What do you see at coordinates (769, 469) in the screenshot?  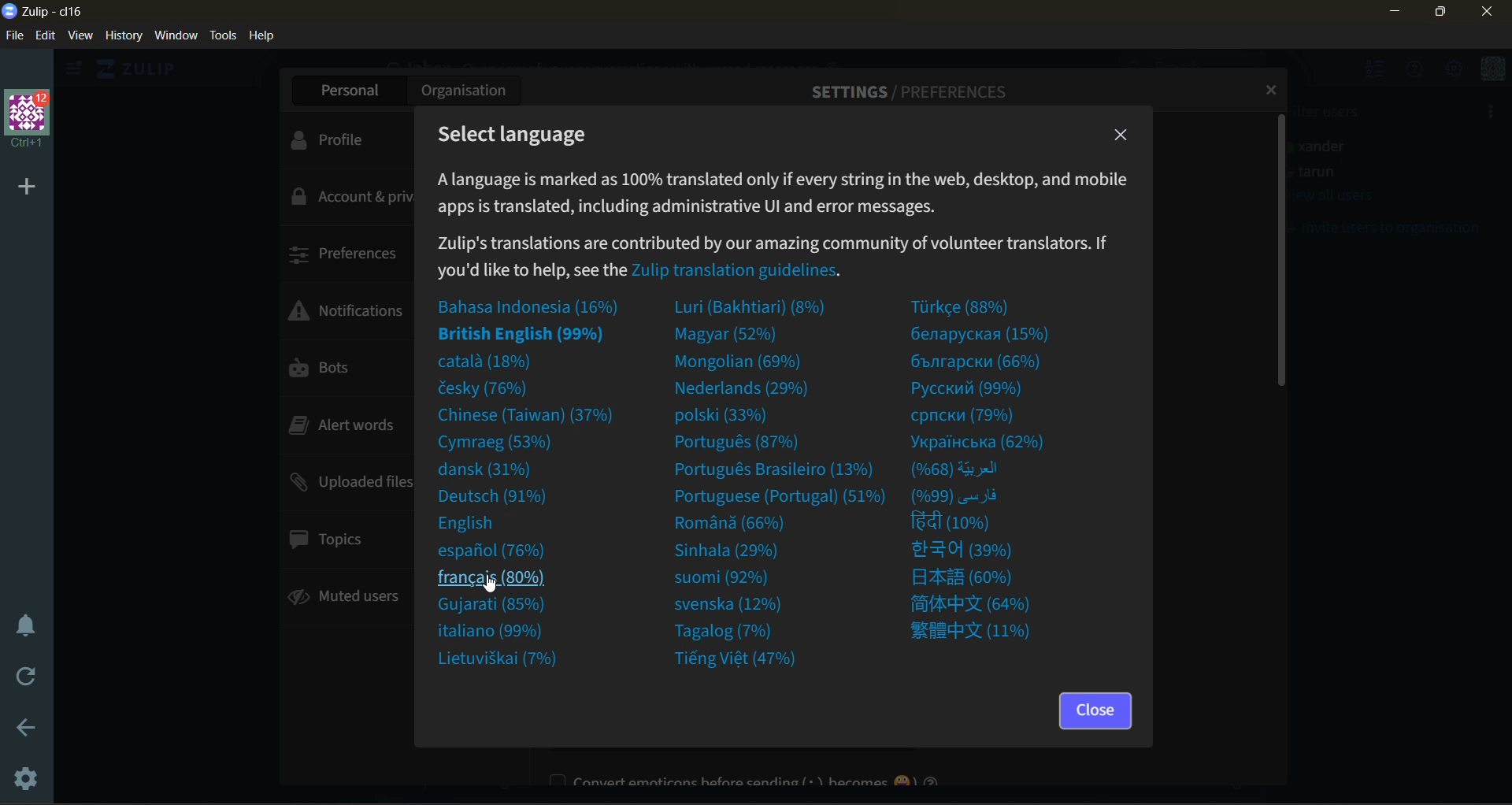 I see `portugues brasileiro` at bounding box center [769, 469].